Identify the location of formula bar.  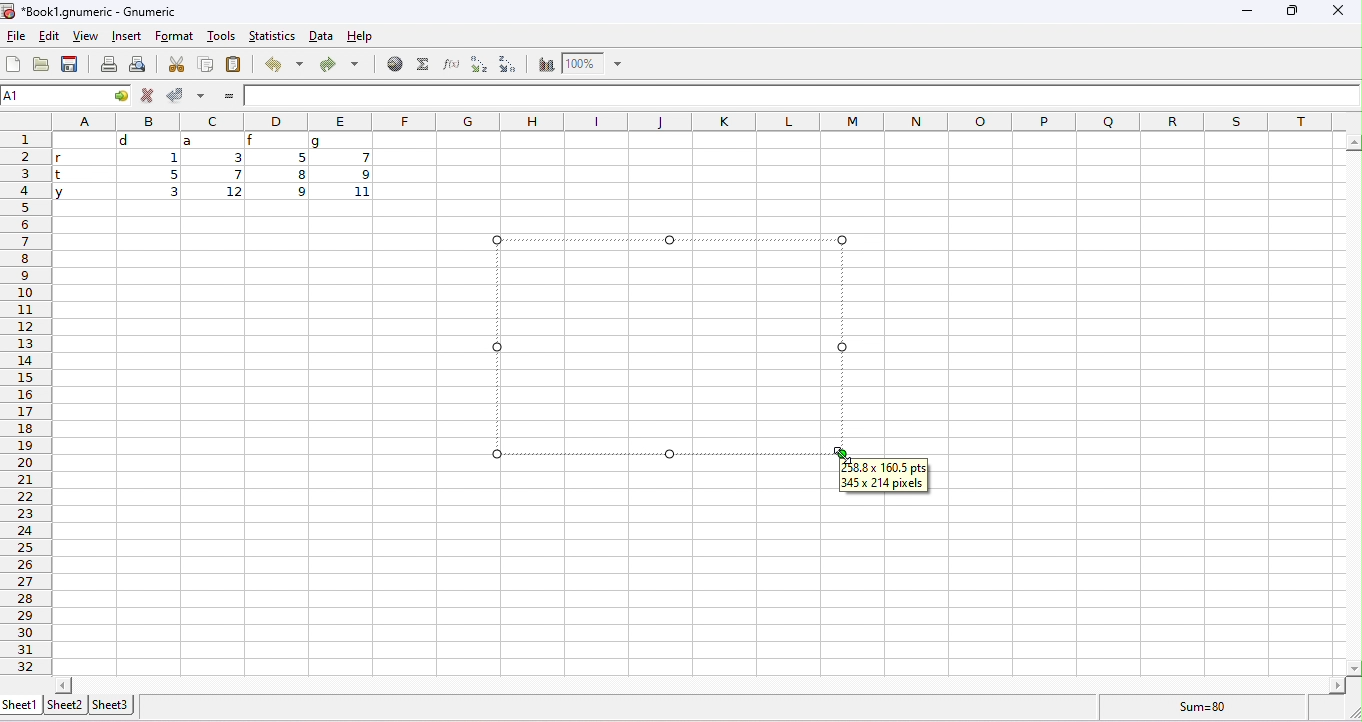
(803, 95).